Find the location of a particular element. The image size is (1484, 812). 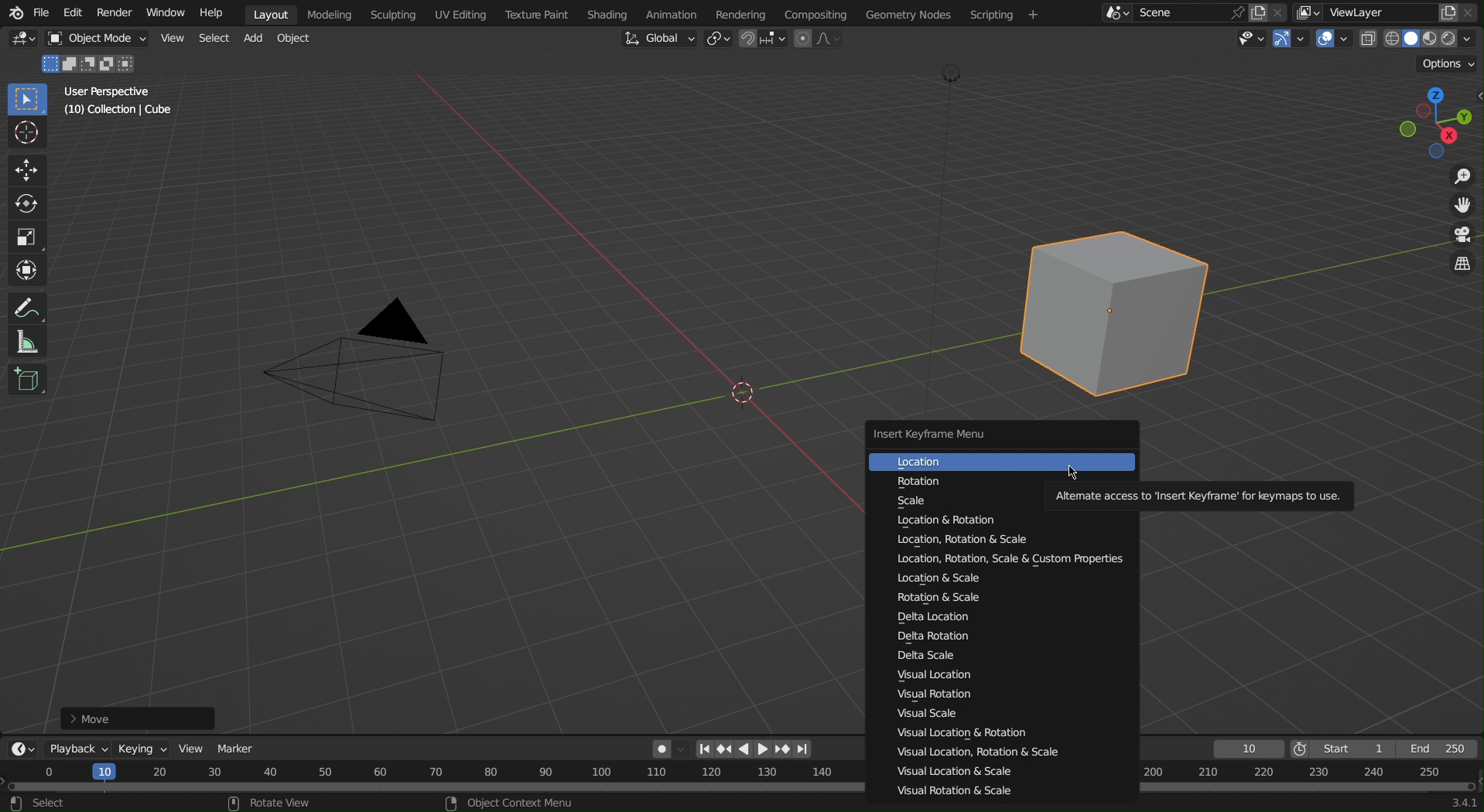

First page is located at coordinates (704, 749).